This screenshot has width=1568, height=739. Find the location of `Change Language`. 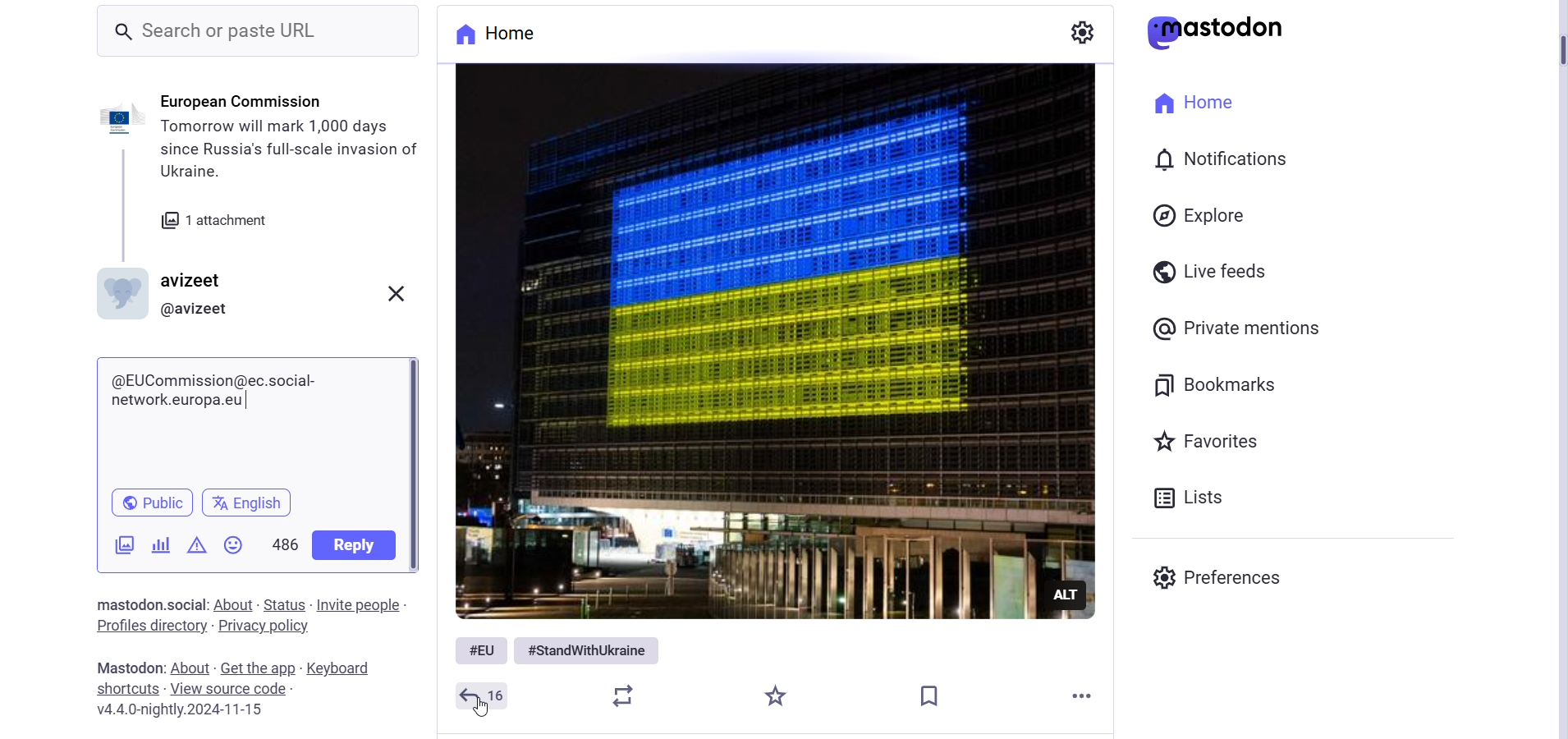

Change Language is located at coordinates (251, 502).